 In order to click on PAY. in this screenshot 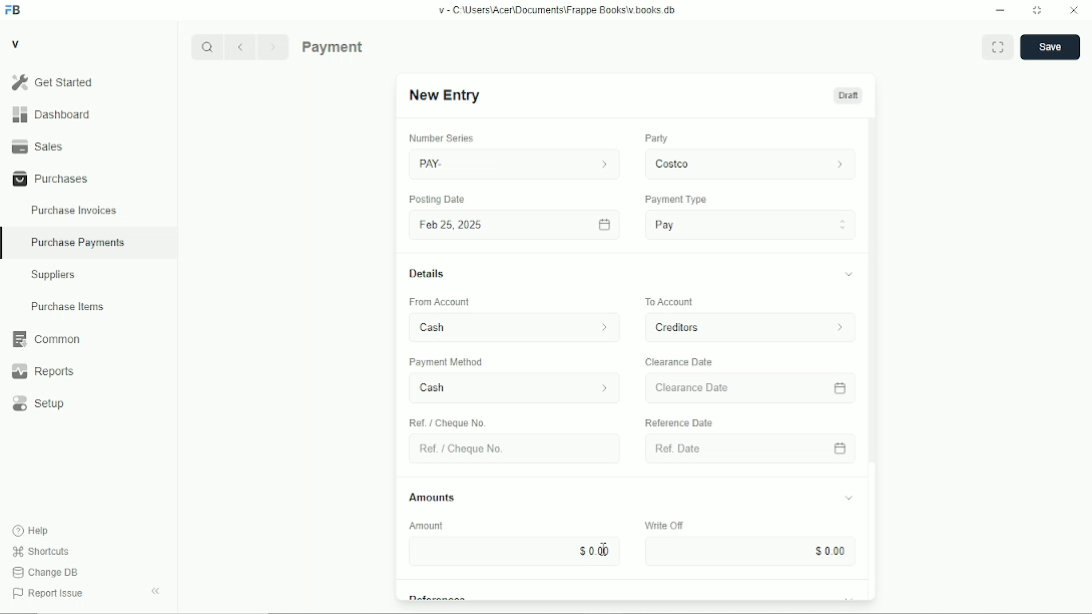, I will do `click(515, 161)`.